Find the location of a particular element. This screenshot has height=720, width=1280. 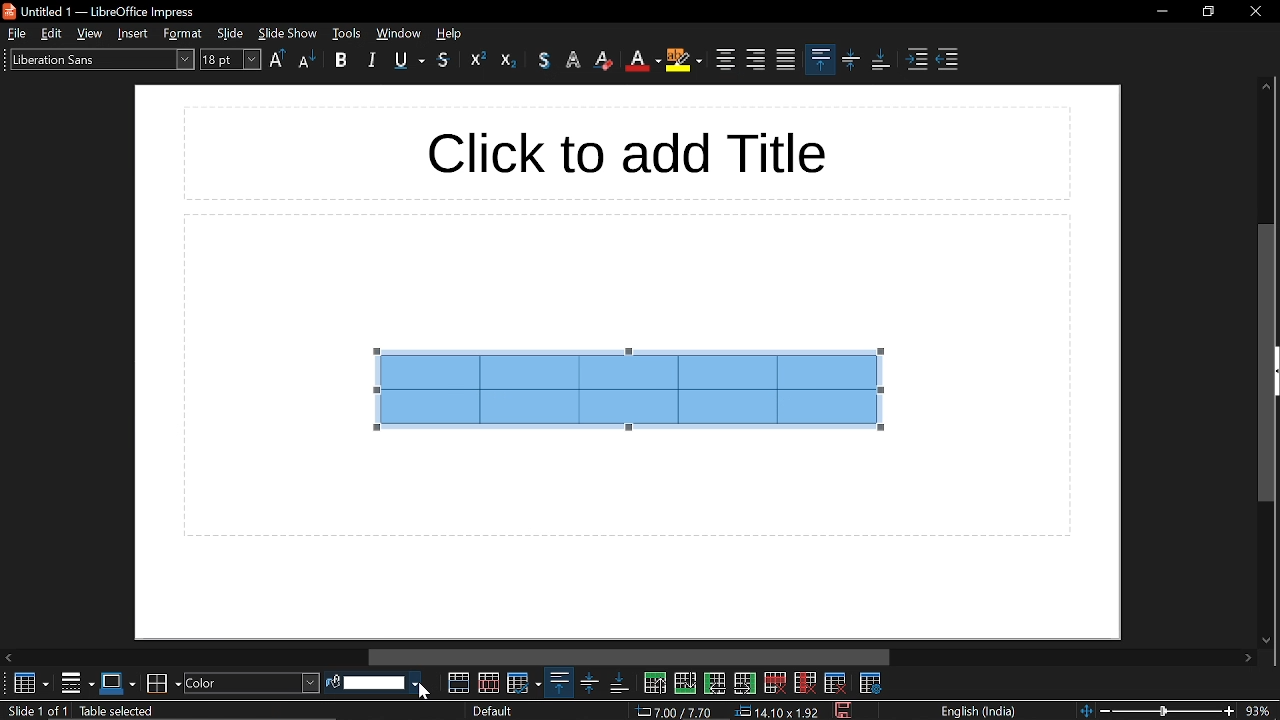

insert is located at coordinates (132, 34).